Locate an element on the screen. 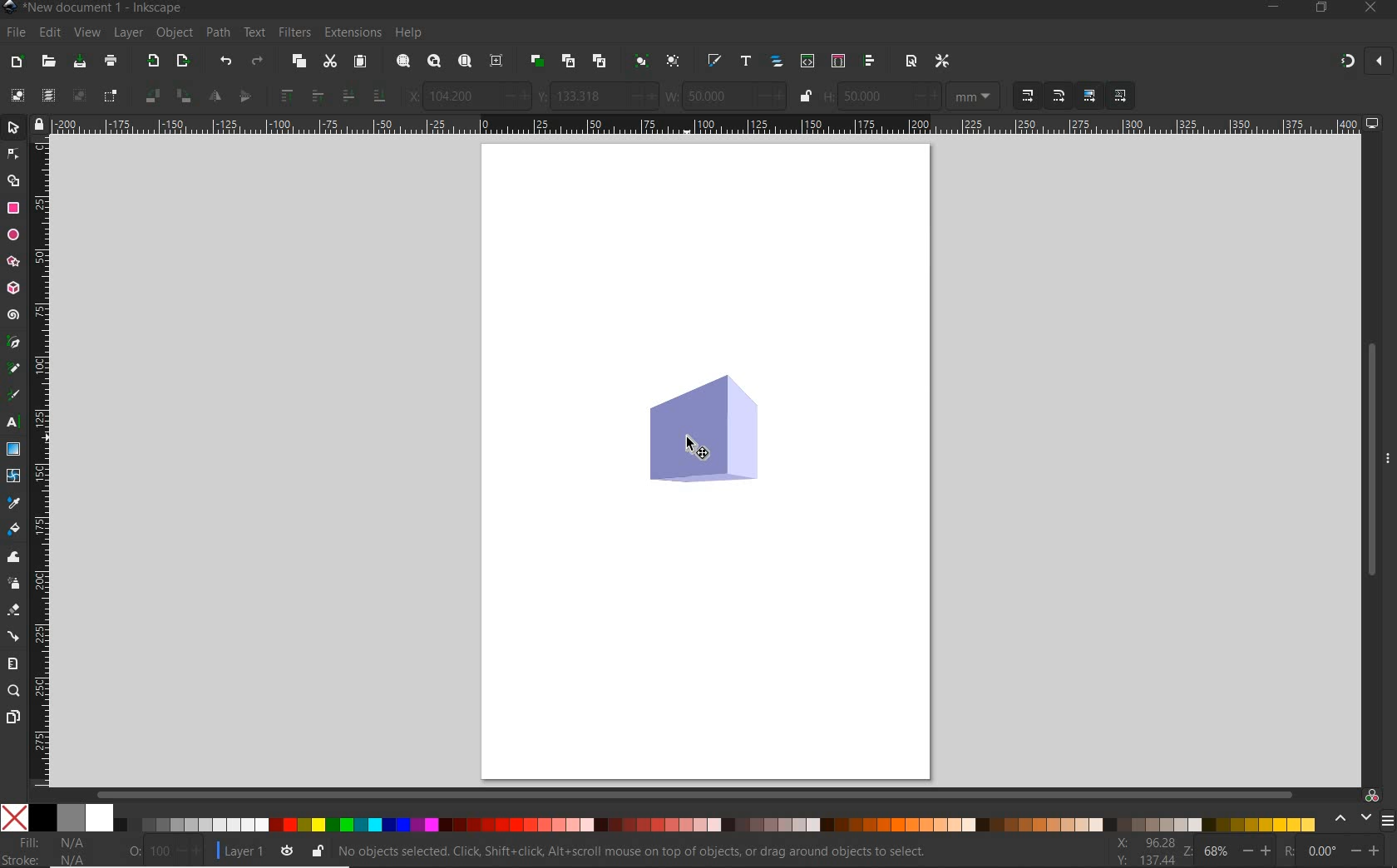 This screenshot has width=1397, height=868. selector tool is located at coordinates (14, 128).